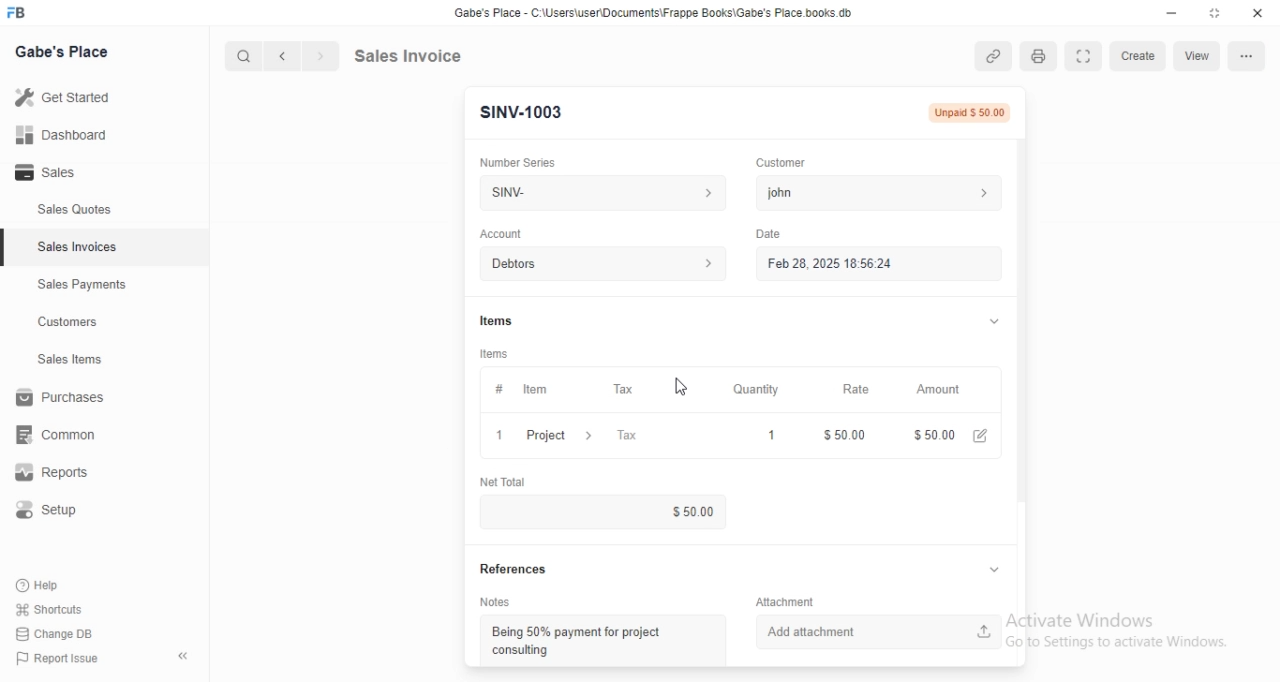 This screenshot has height=682, width=1280. What do you see at coordinates (997, 56) in the screenshot?
I see `copy link` at bounding box center [997, 56].